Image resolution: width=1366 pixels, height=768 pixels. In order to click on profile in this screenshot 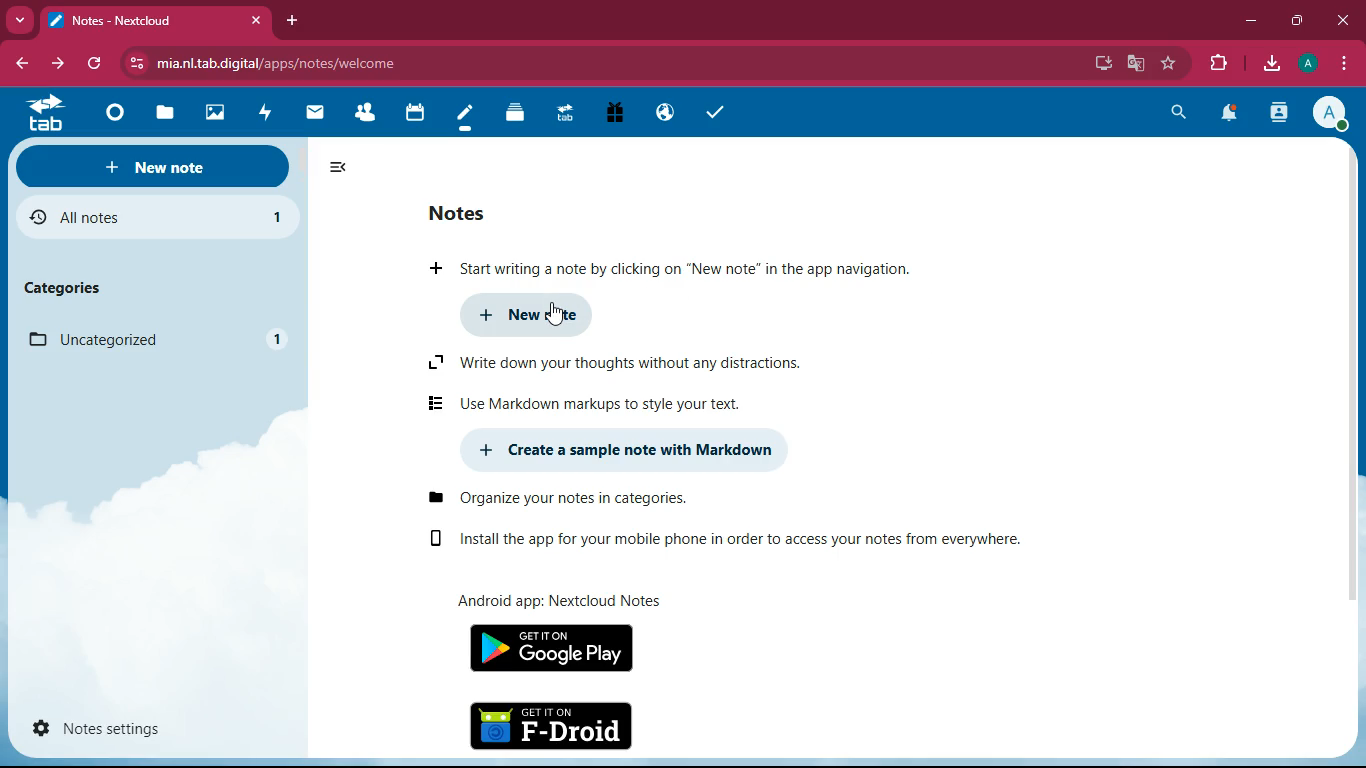, I will do `click(1330, 113)`.